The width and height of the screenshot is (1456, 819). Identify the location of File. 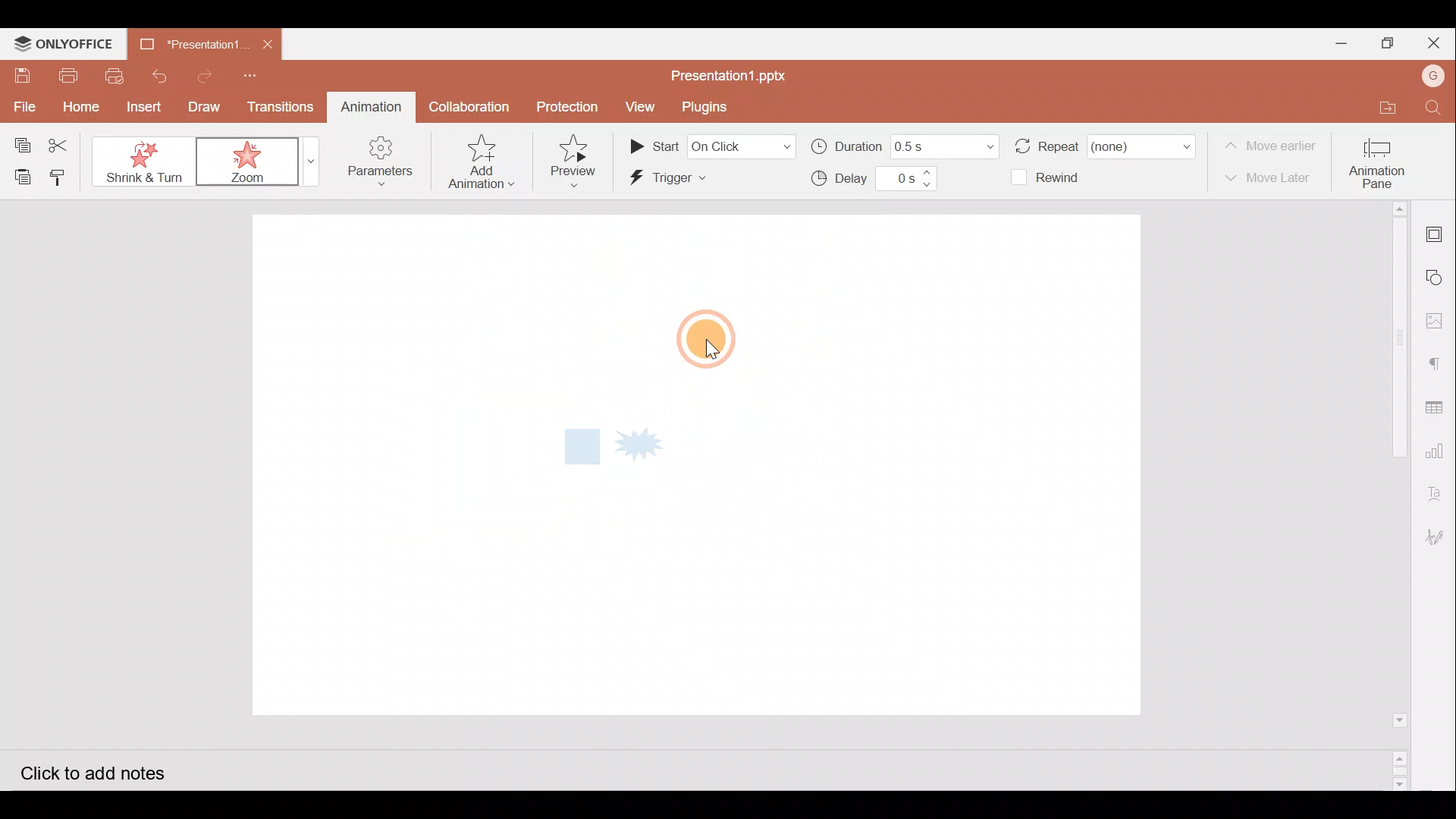
(22, 105).